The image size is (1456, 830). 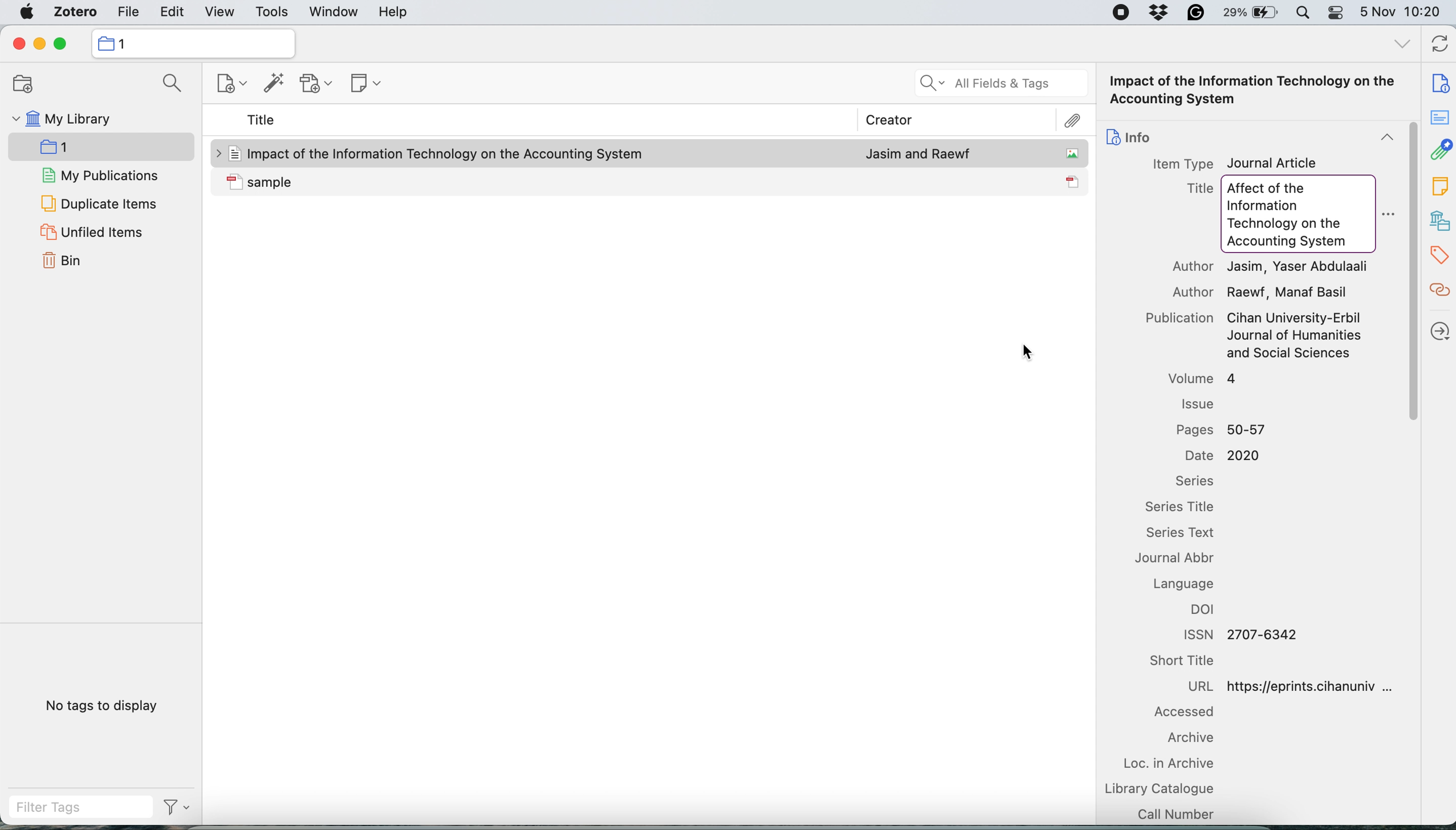 What do you see at coordinates (99, 147) in the screenshot?
I see `new collection` at bounding box center [99, 147].